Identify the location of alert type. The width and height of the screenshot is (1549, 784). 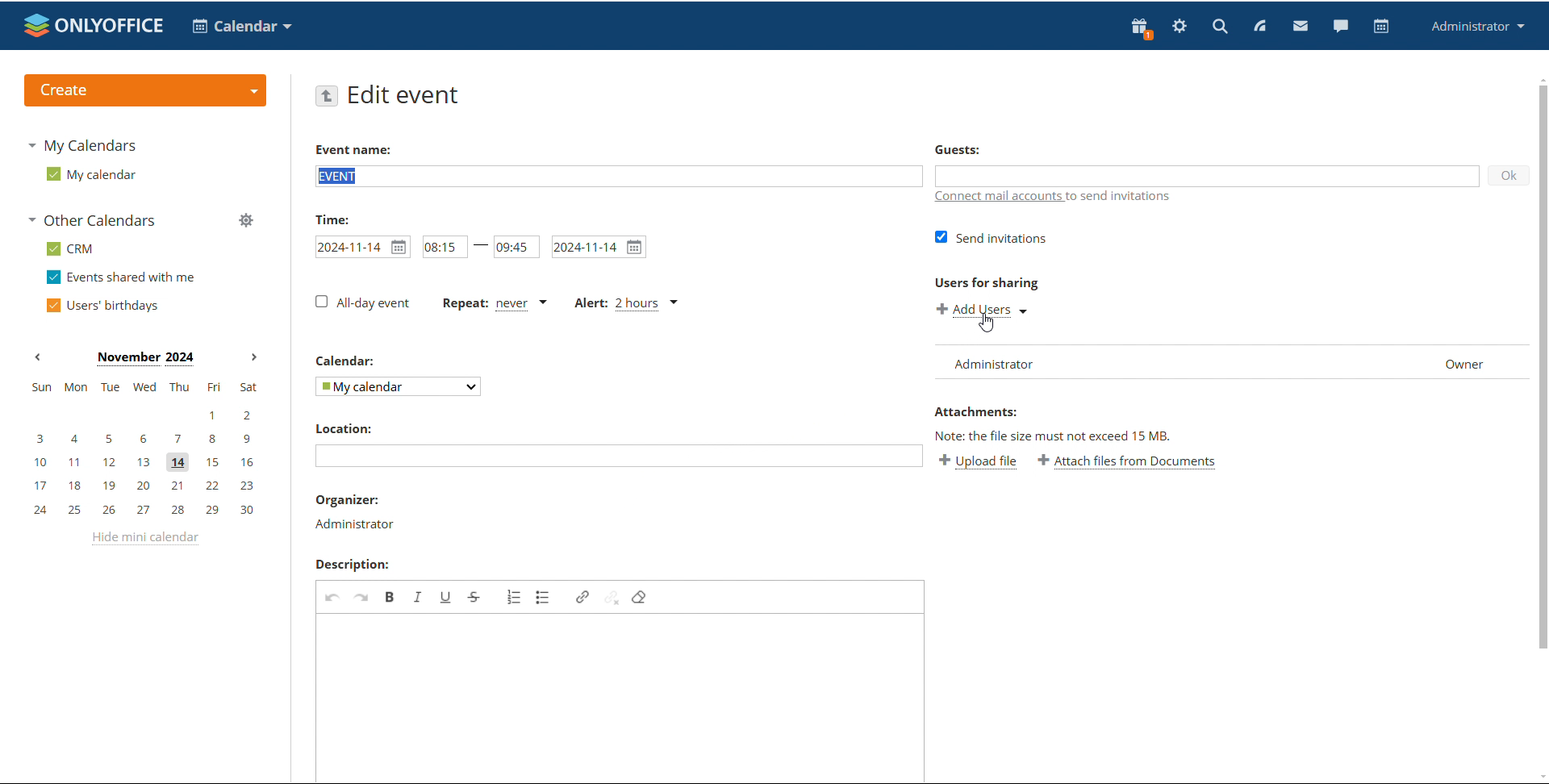
(628, 303).